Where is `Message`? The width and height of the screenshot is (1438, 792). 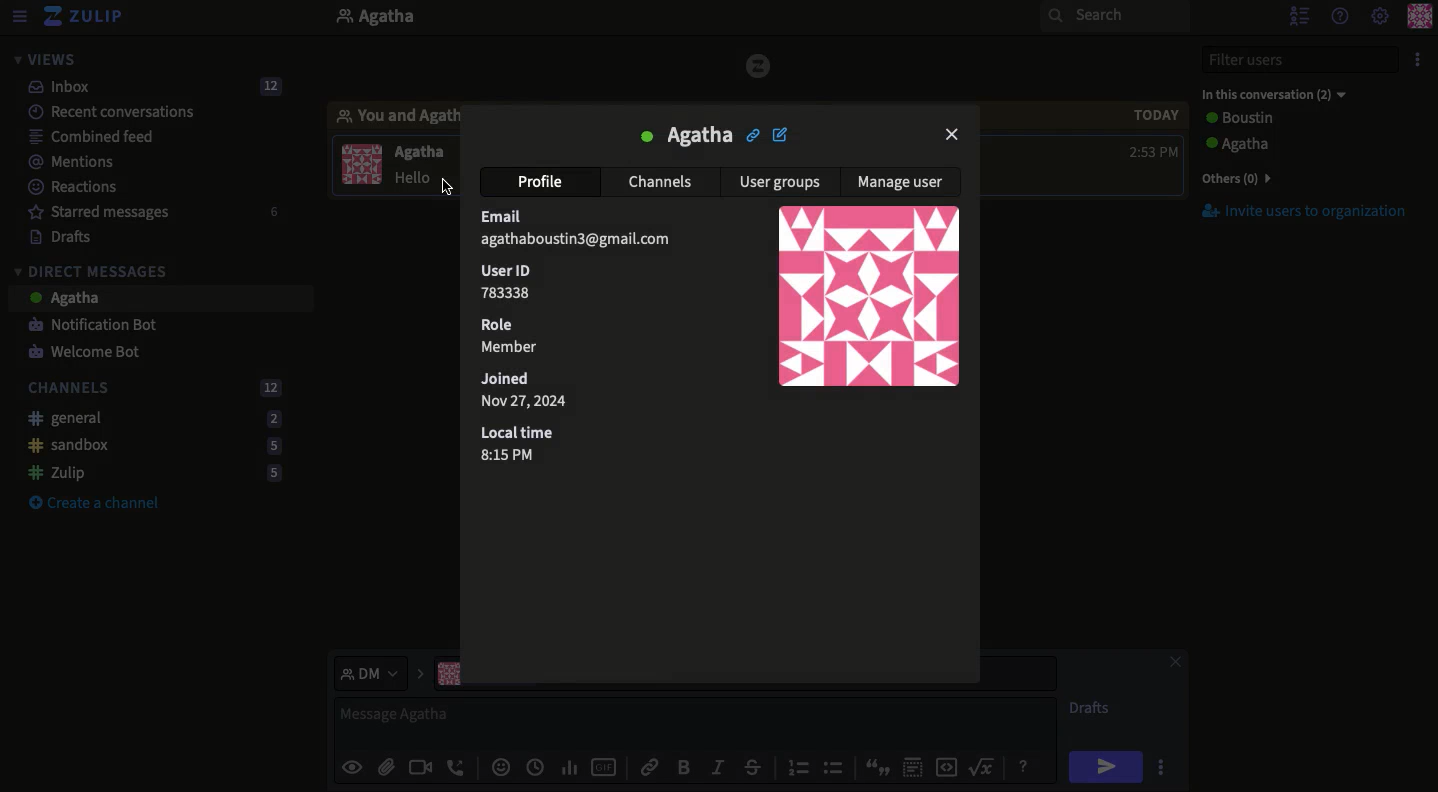
Message is located at coordinates (424, 178).